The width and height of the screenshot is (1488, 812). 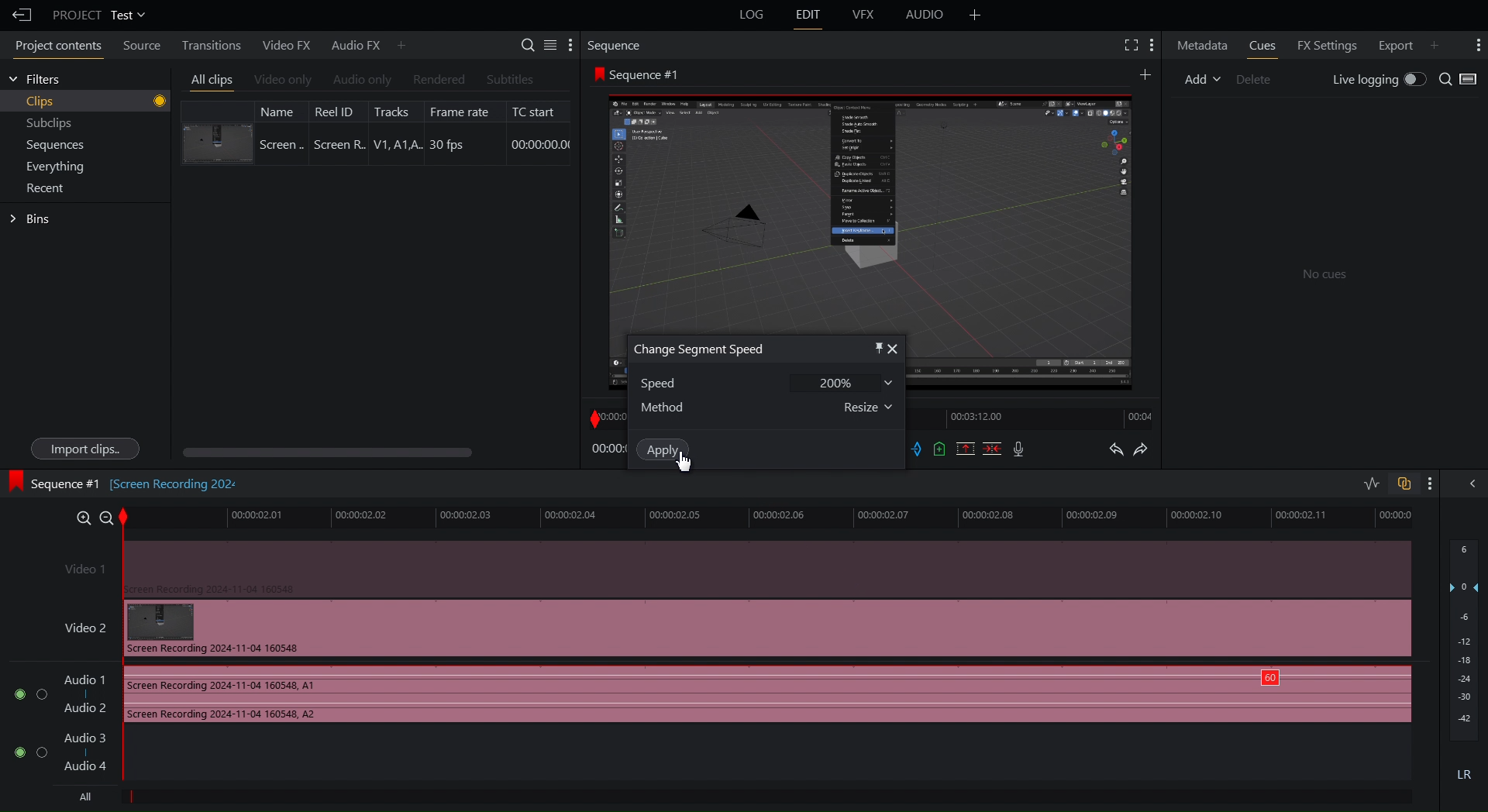 What do you see at coordinates (706, 696) in the screenshot?
I see `Audio Track 1` at bounding box center [706, 696].